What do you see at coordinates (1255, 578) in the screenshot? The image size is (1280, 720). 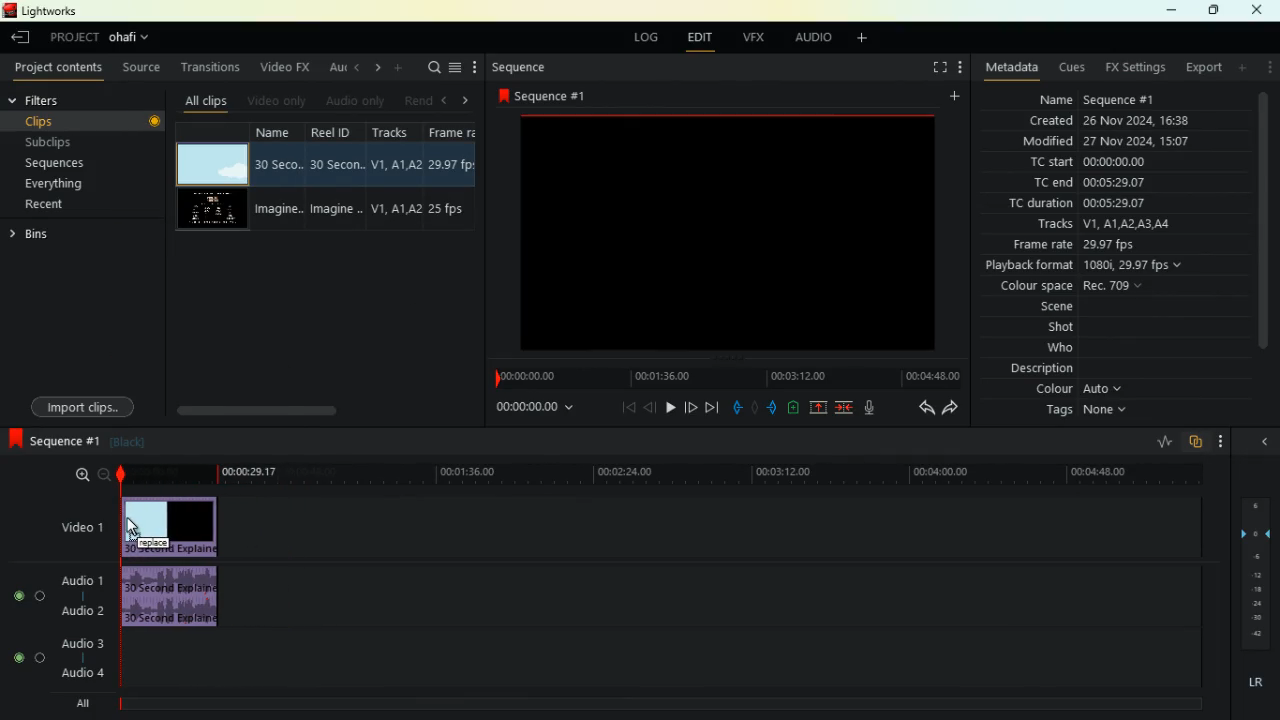 I see `layers` at bounding box center [1255, 578].